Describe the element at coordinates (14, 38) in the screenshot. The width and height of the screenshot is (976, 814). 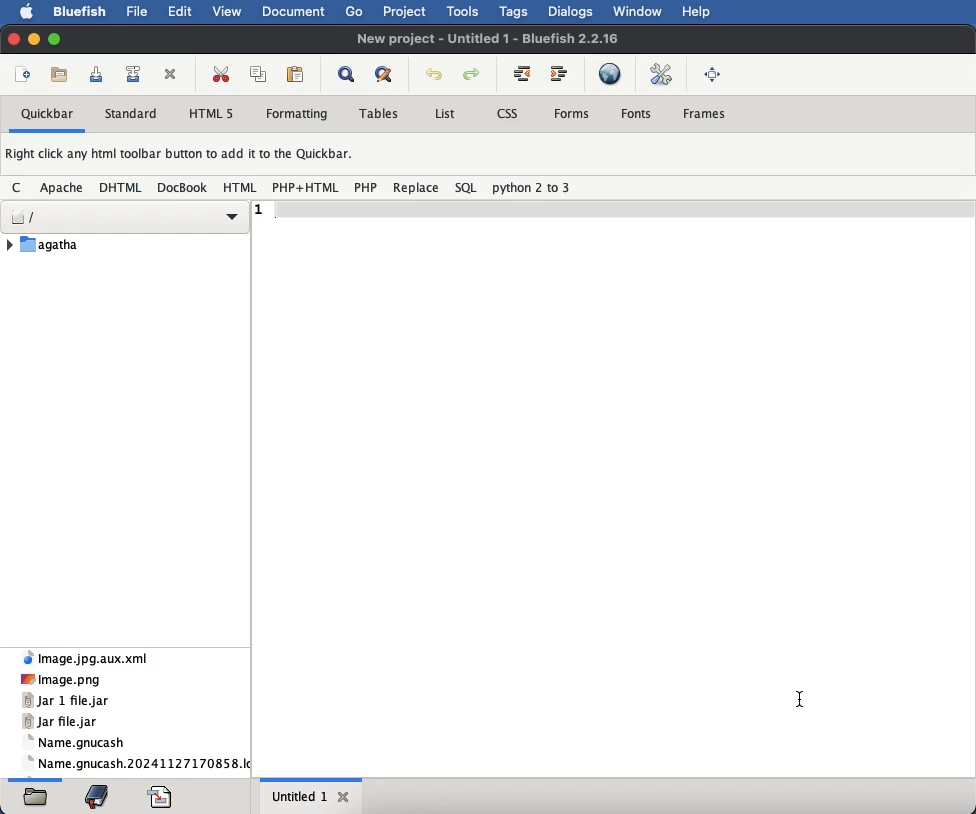
I see `close` at that location.